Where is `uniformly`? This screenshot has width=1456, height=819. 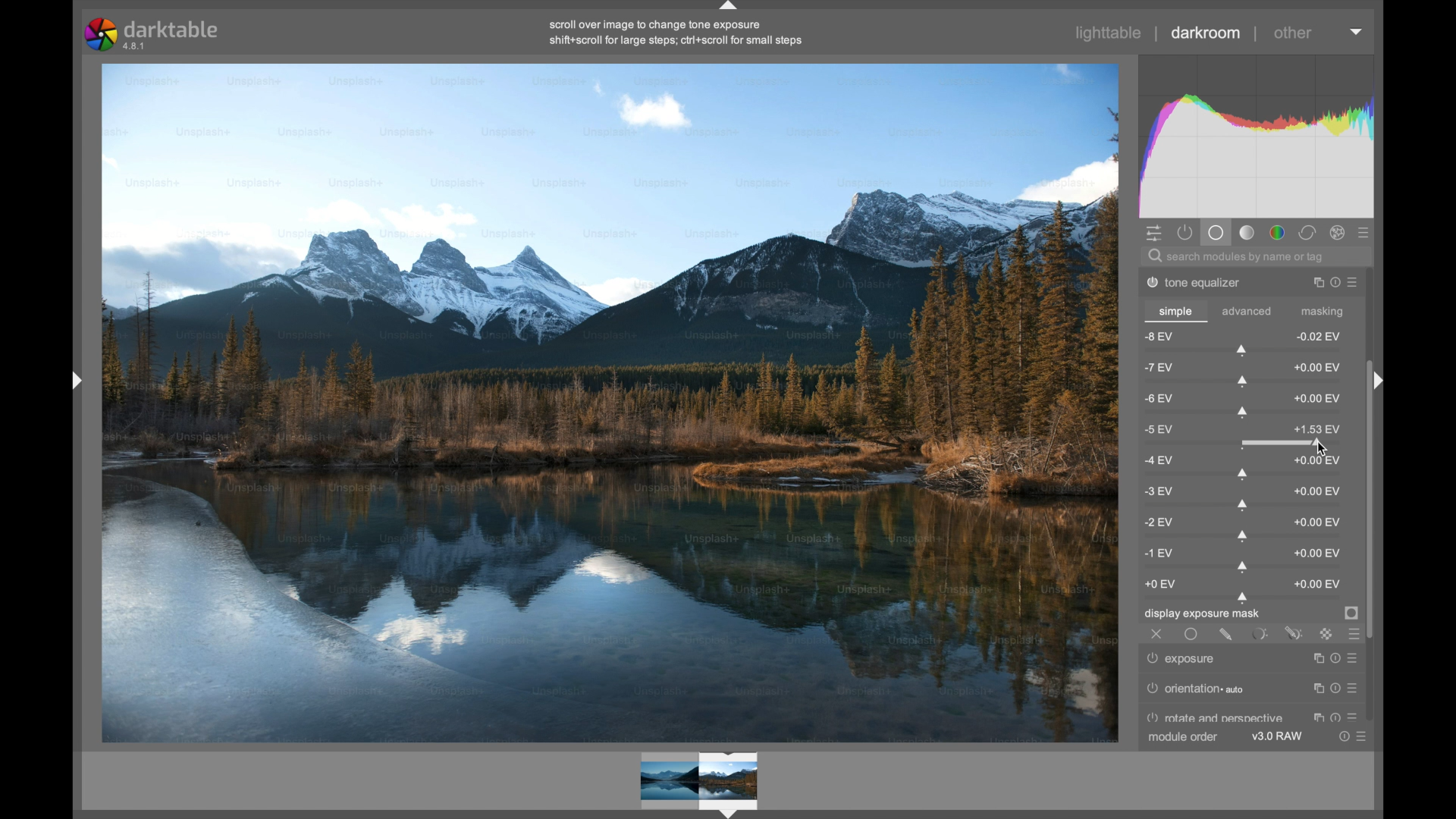
uniformly is located at coordinates (1191, 635).